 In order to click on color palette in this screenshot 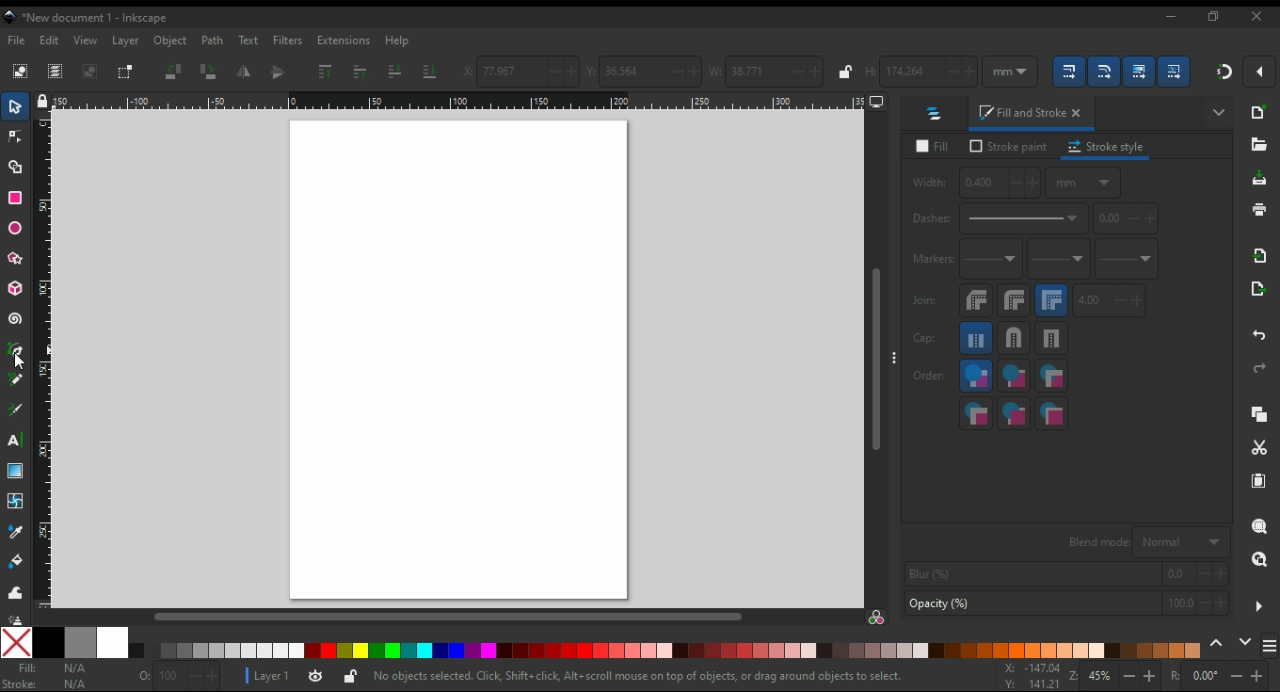, I will do `click(662, 649)`.